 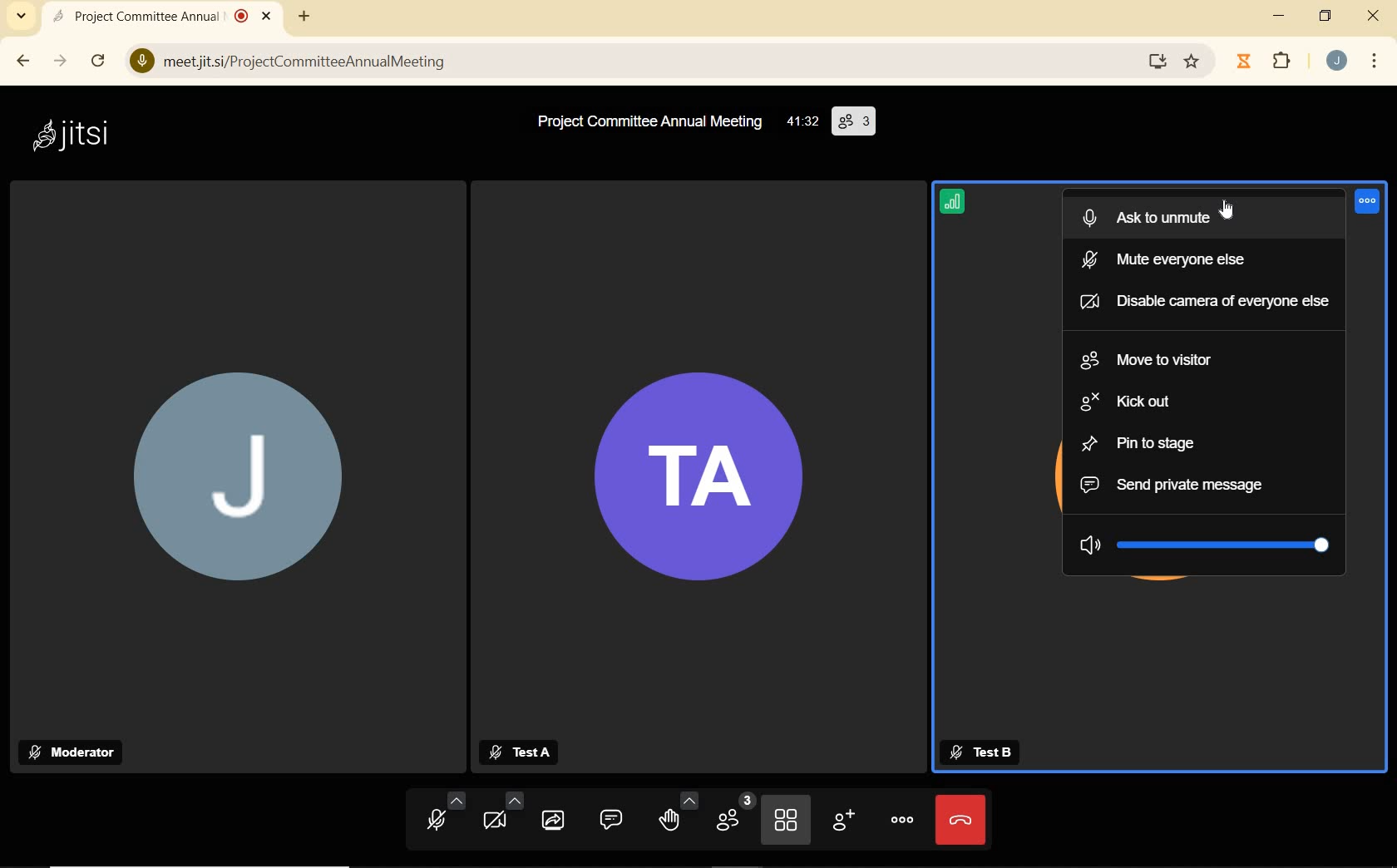 What do you see at coordinates (21, 63) in the screenshot?
I see `BACK` at bounding box center [21, 63].